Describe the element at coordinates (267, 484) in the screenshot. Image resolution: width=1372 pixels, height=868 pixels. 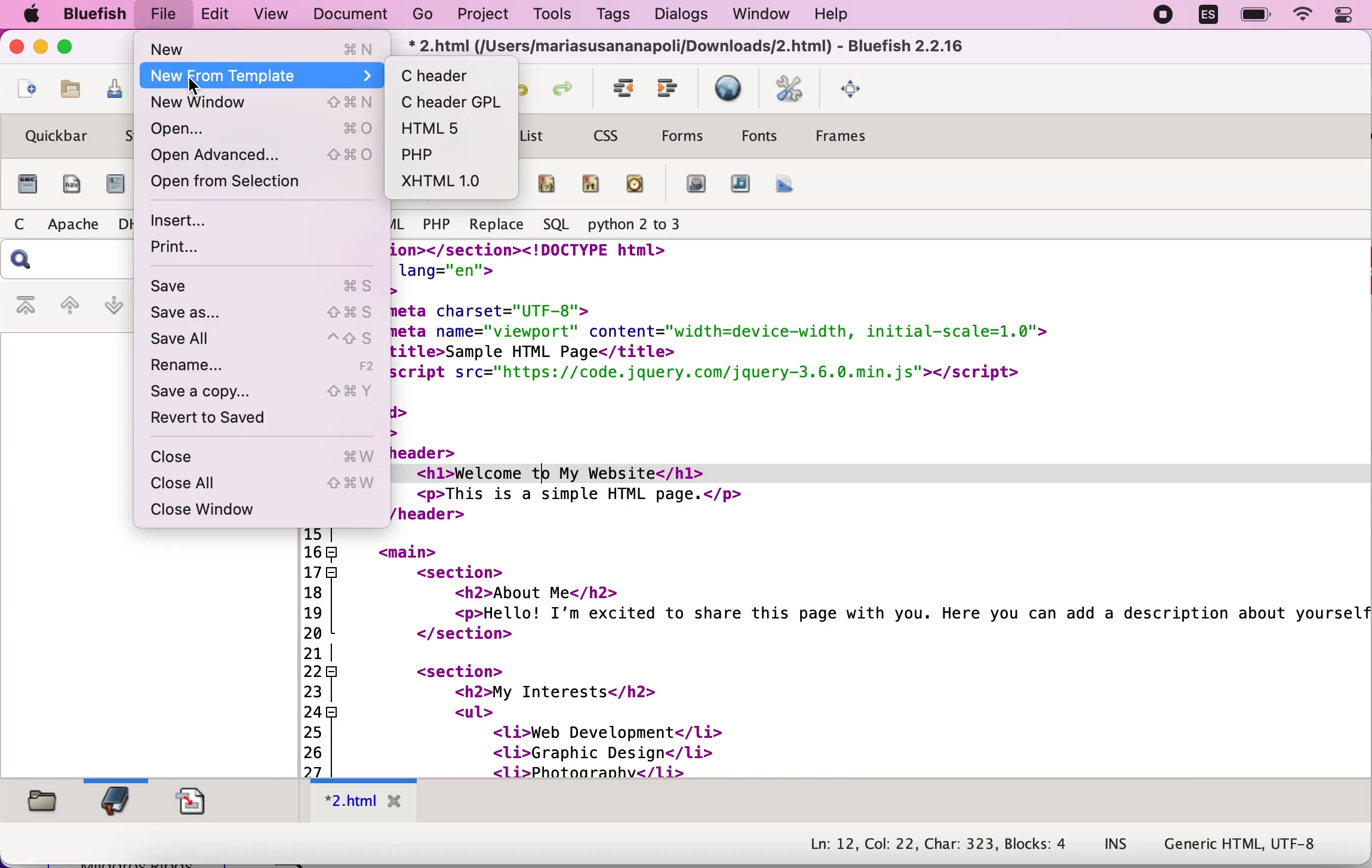
I see `close all` at that location.